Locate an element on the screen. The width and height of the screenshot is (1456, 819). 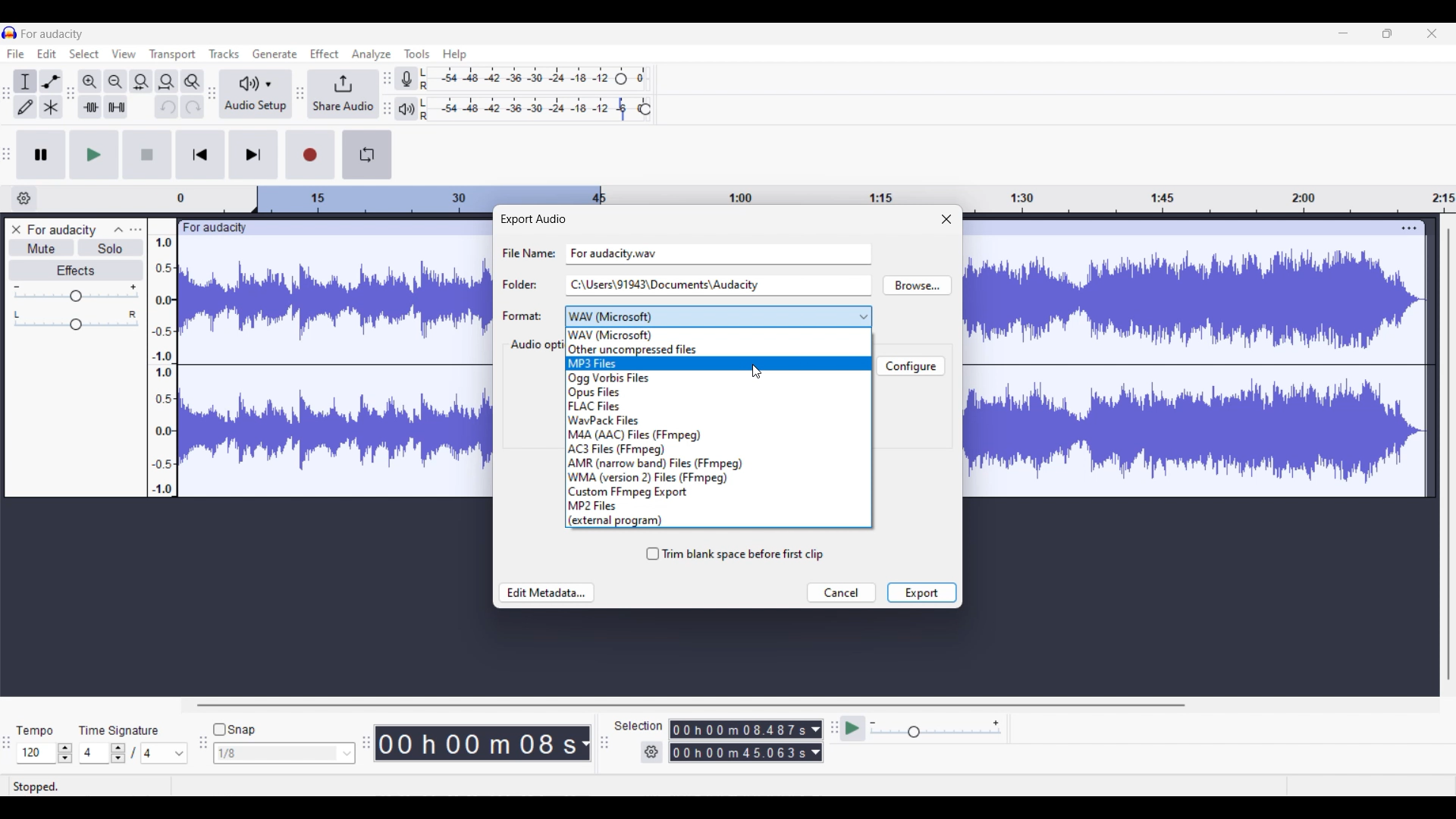
Generate menu is located at coordinates (275, 54).